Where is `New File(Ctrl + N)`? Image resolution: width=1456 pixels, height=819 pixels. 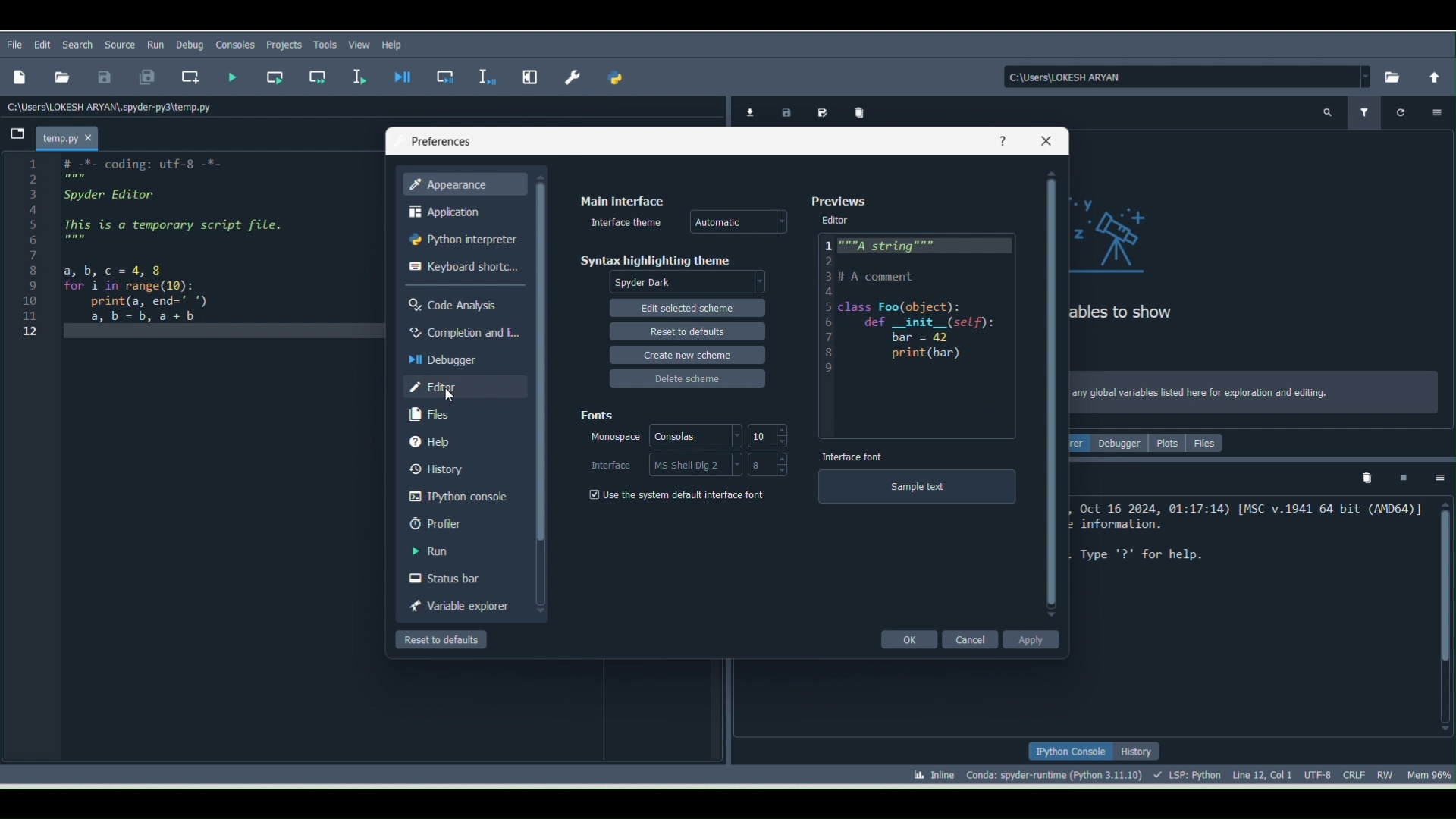 New File(Ctrl + N) is located at coordinates (18, 77).